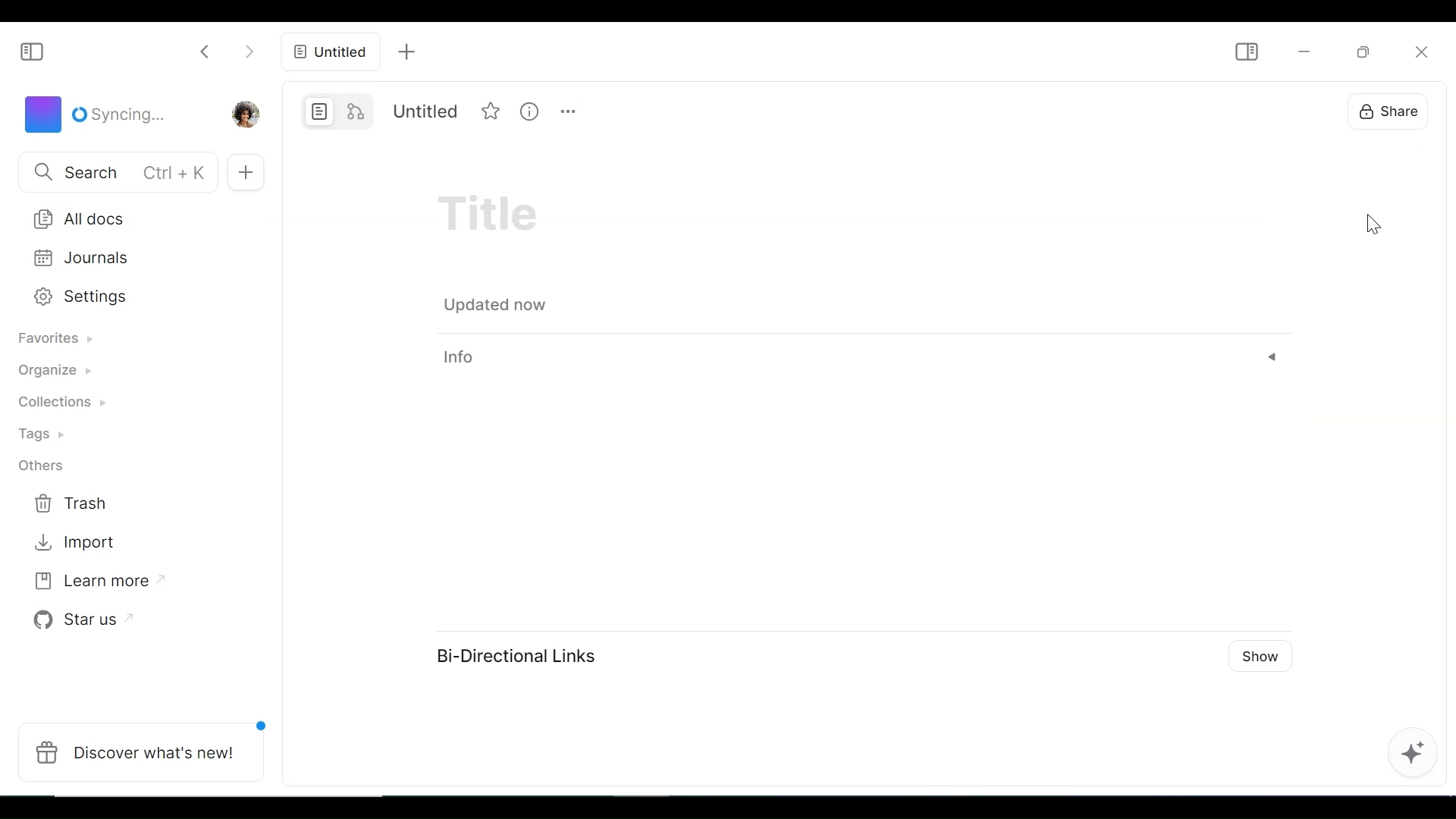  What do you see at coordinates (93, 115) in the screenshot?
I see `Workspace` at bounding box center [93, 115].